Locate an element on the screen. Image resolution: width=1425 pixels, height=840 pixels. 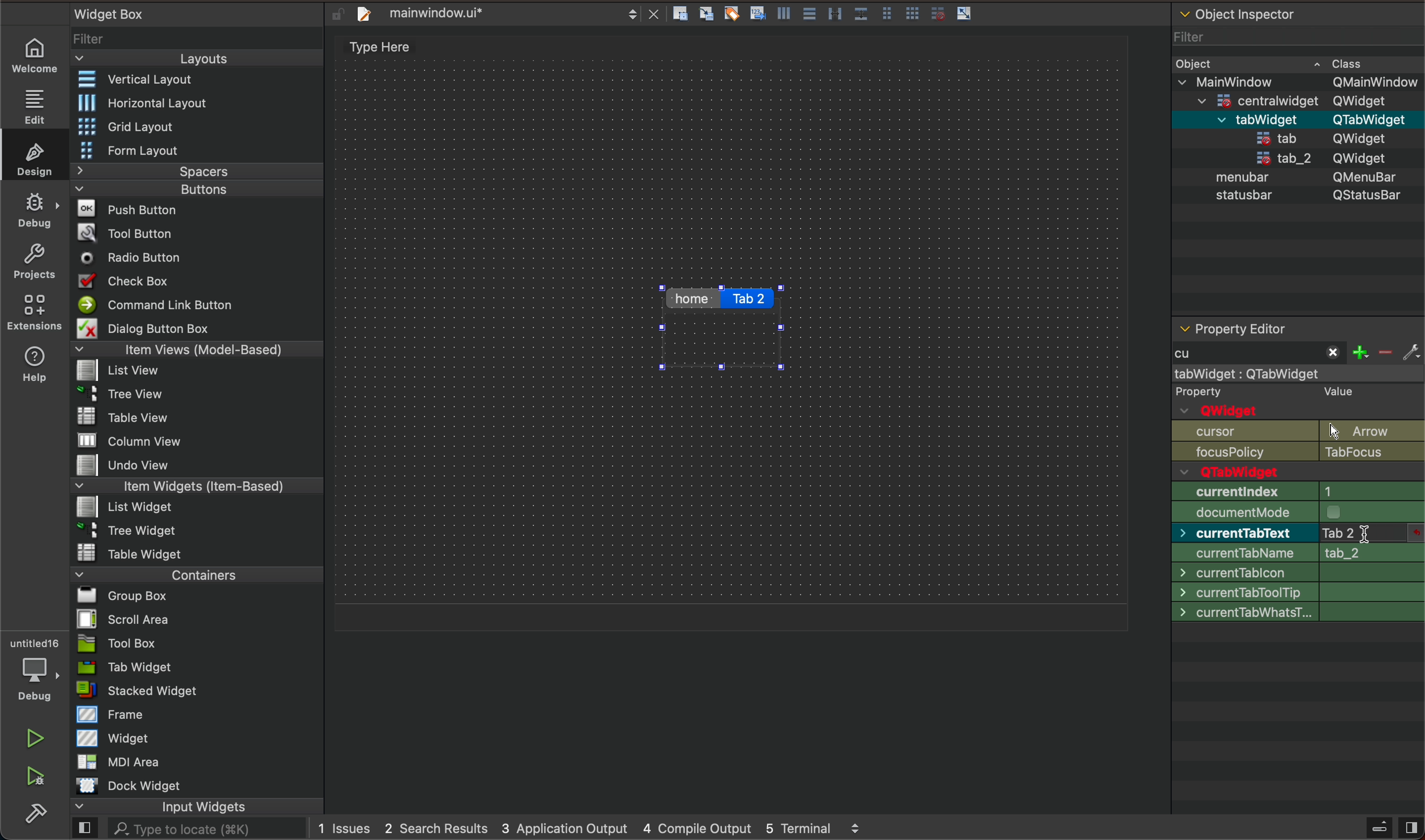
design is located at coordinates (34, 156).